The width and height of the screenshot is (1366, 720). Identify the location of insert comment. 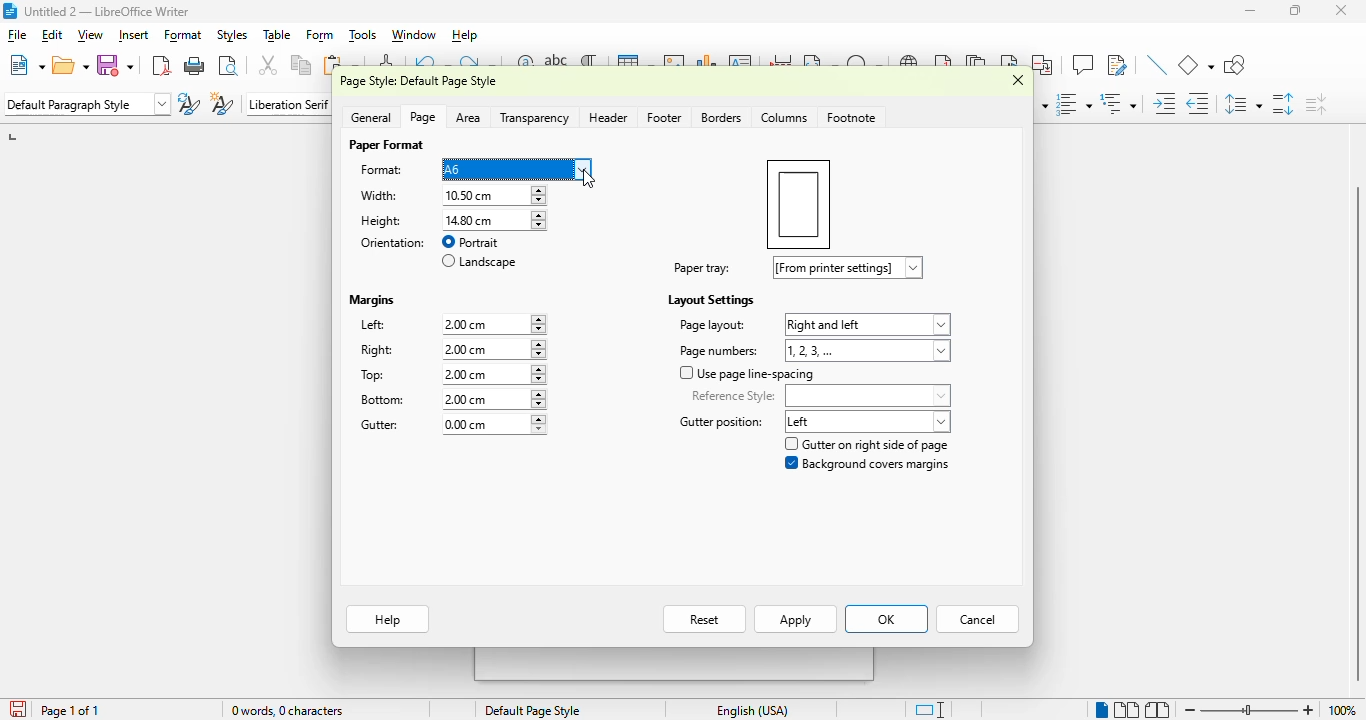
(1083, 64).